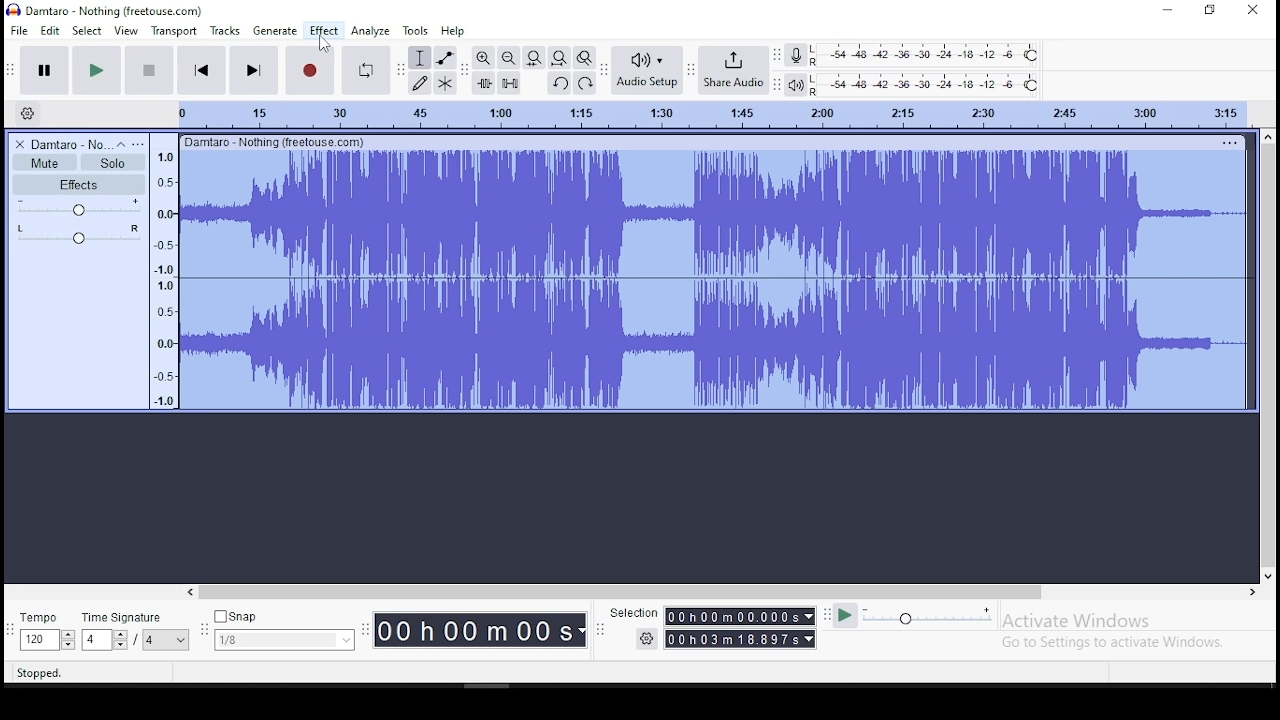 The image size is (1280, 720). Describe the element at coordinates (510, 82) in the screenshot. I see `silence audio selection` at that location.